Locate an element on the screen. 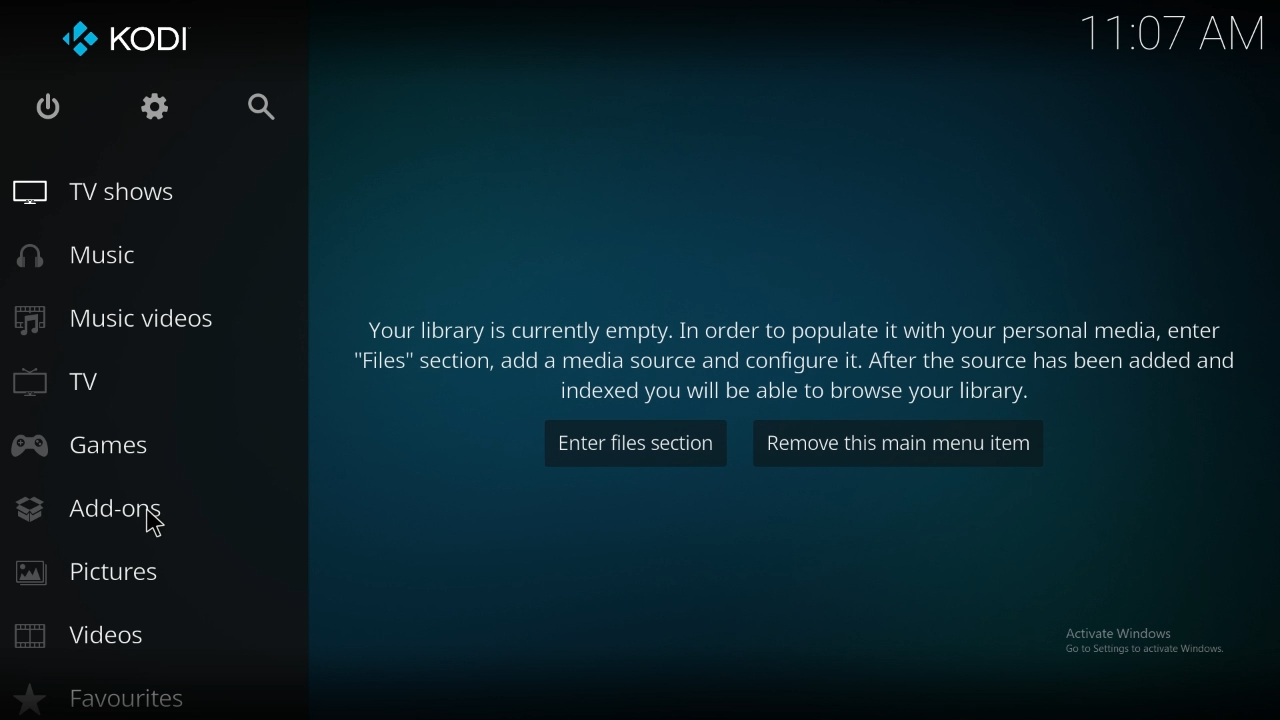 This screenshot has width=1280, height=720. enter files section is located at coordinates (637, 443).